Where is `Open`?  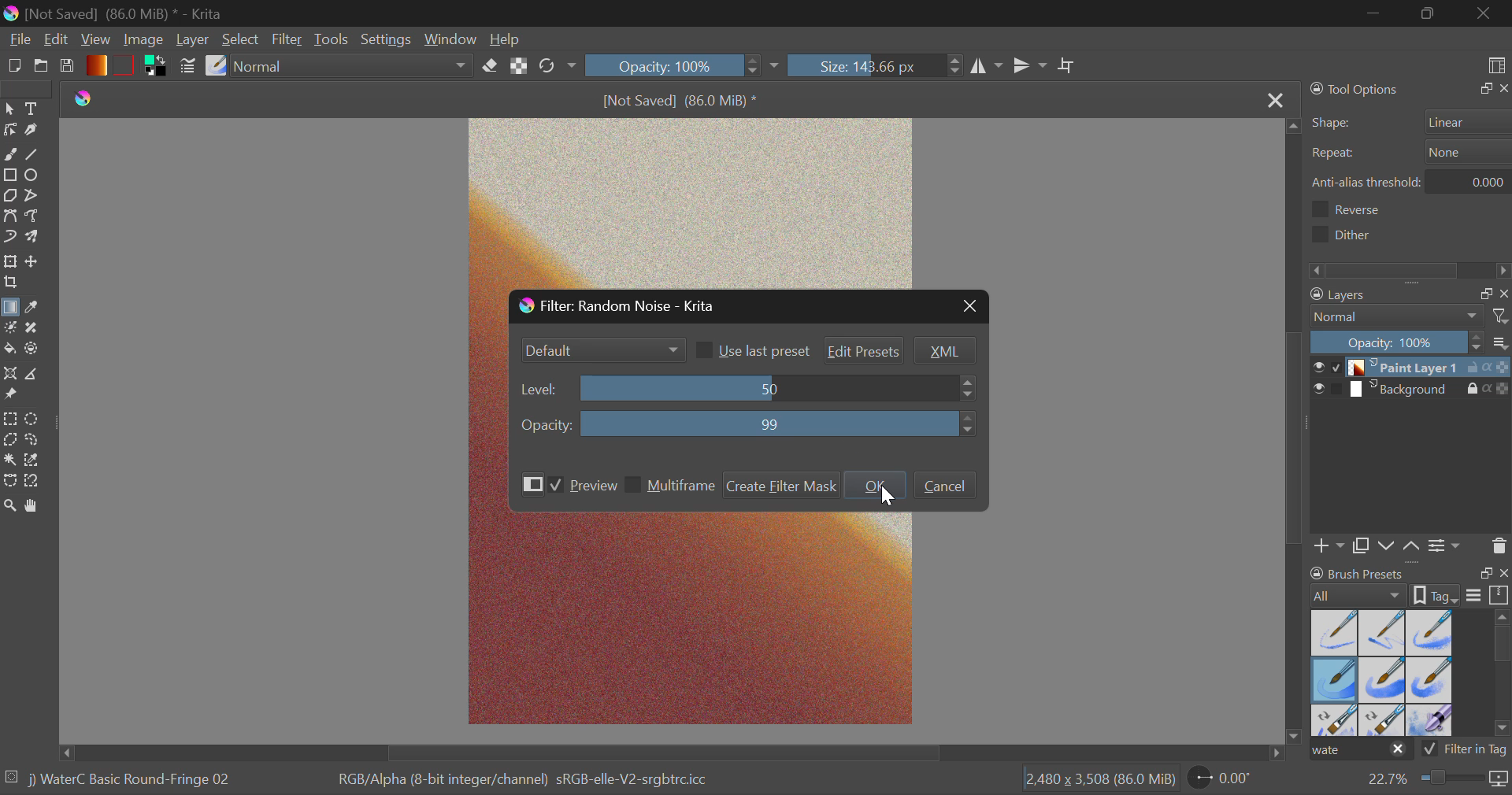 Open is located at coordinates (41, 66).